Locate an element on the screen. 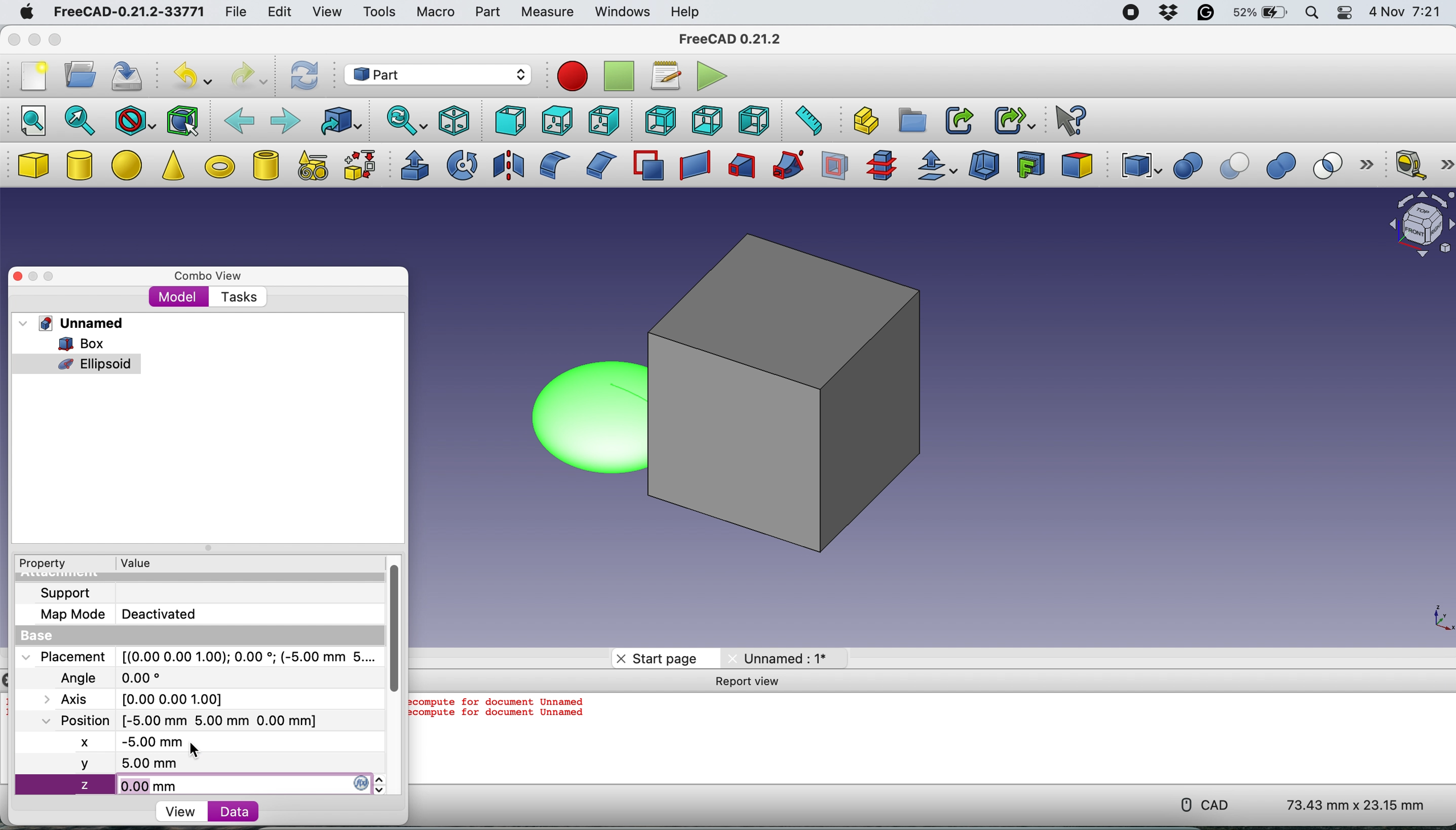  mirroring is located at coordinates (509, 164).